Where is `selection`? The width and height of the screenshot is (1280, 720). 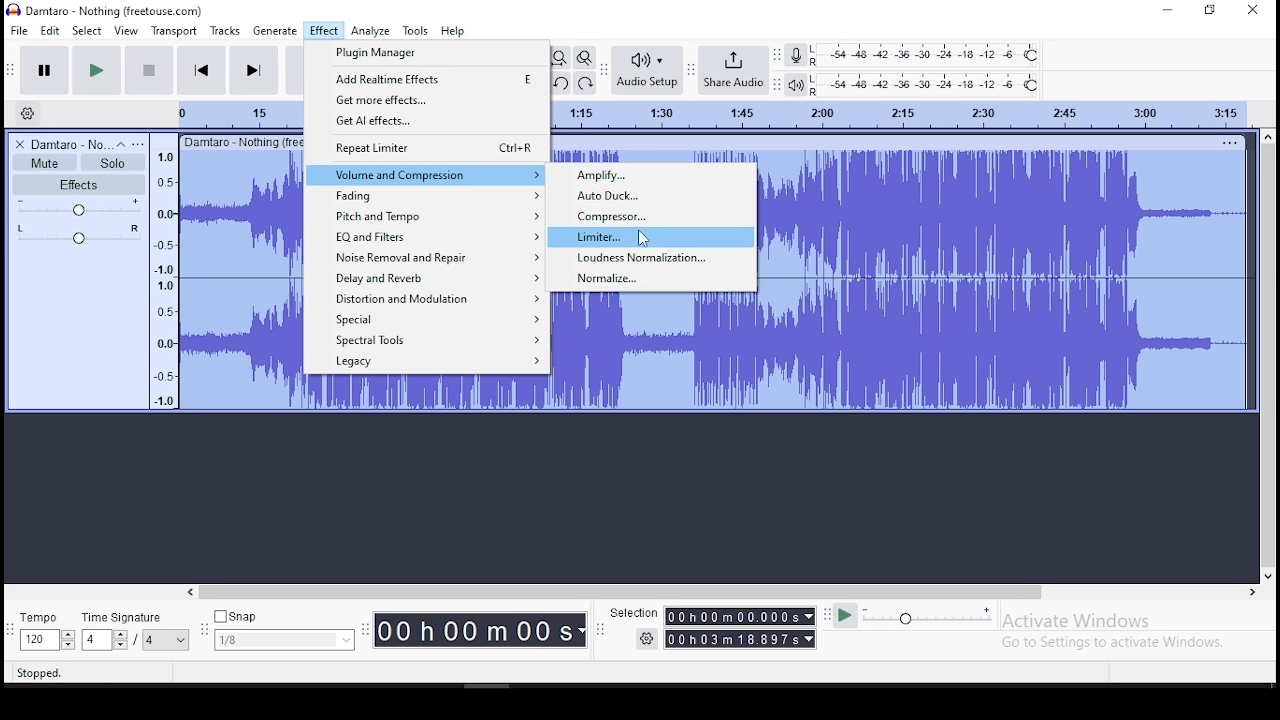
selection is located at coordinates (631, 610).